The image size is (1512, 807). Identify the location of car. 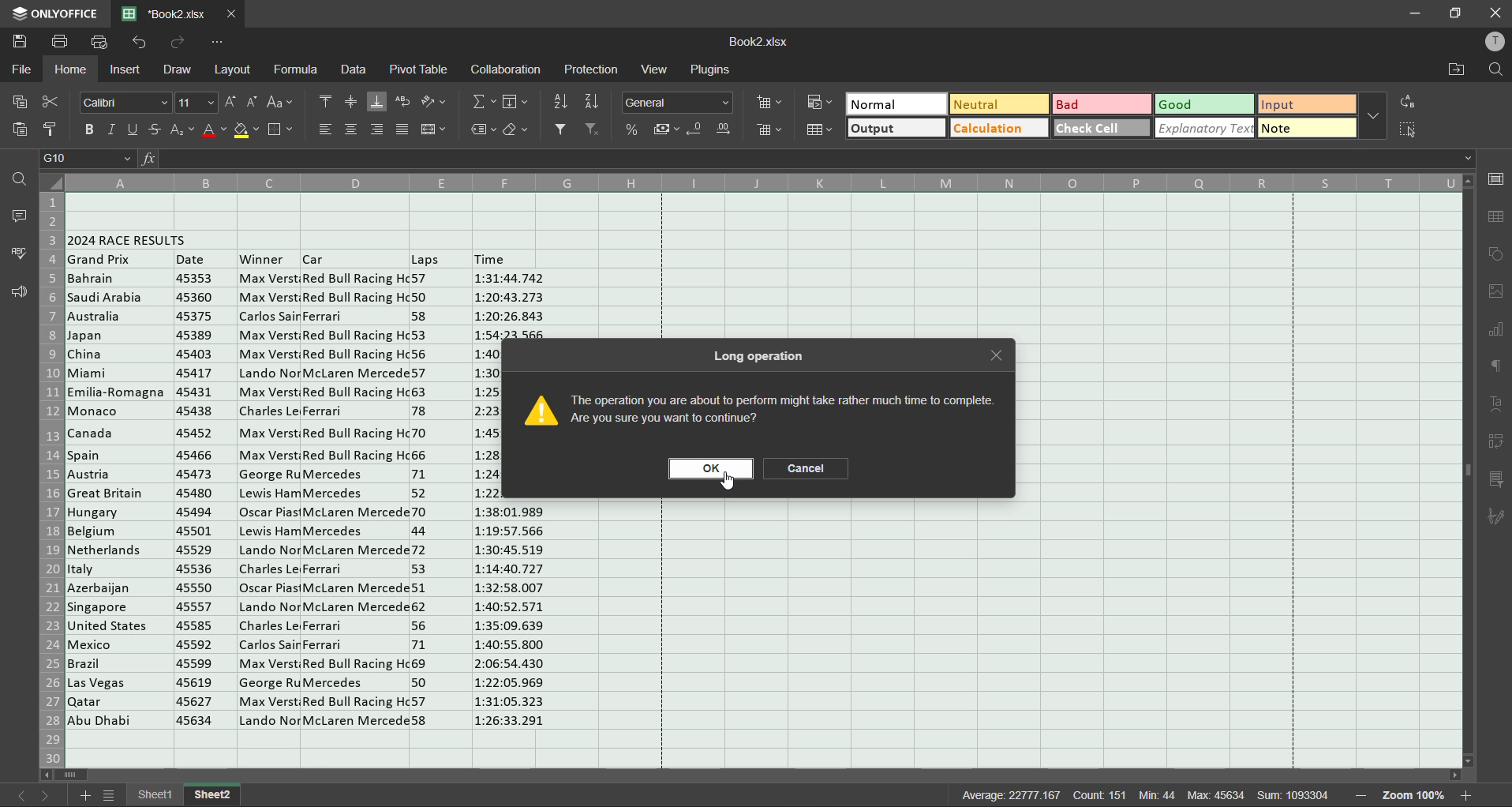
(357, 501).